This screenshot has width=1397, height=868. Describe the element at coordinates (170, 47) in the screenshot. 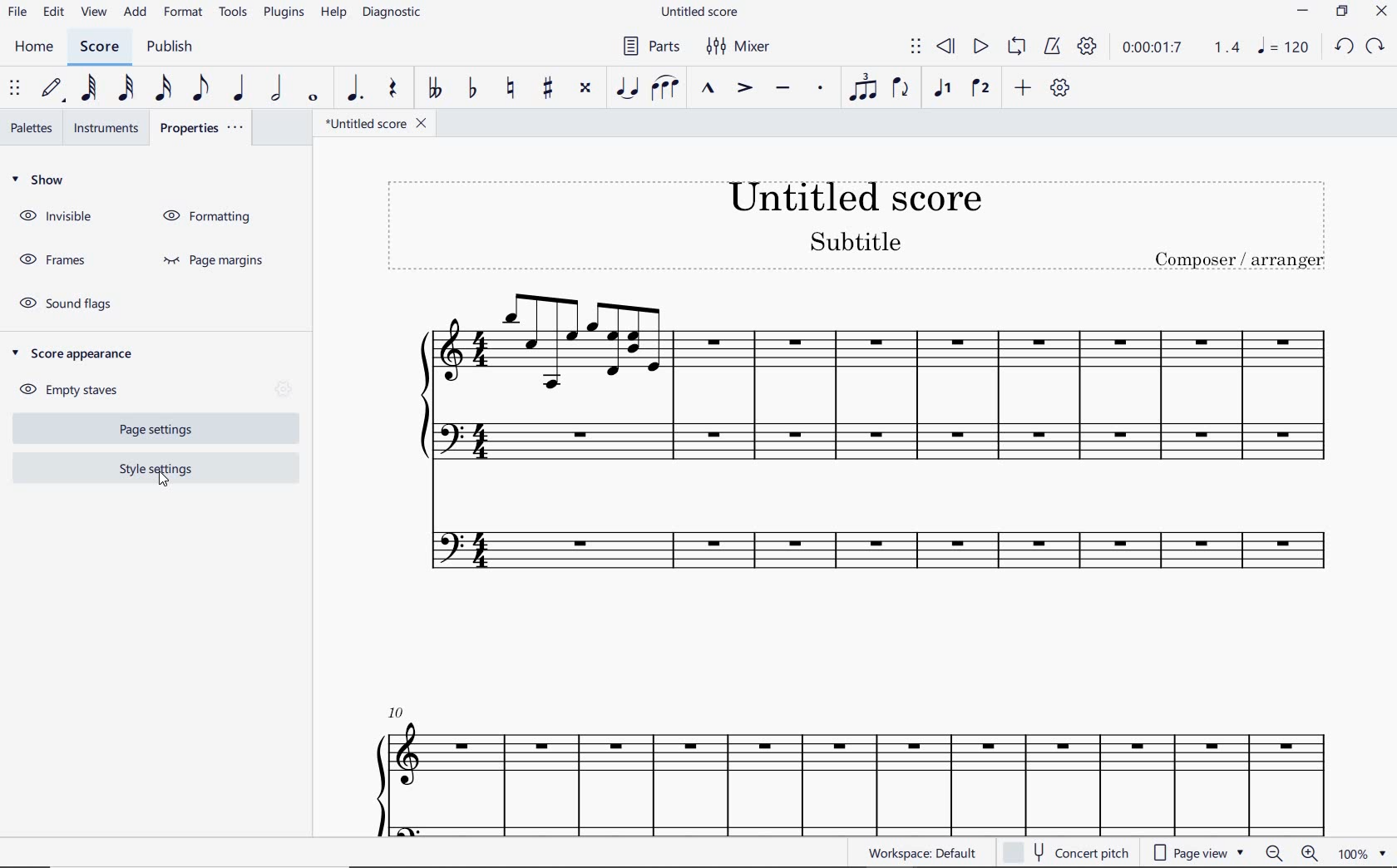

I see `PUBLISH` at that location.